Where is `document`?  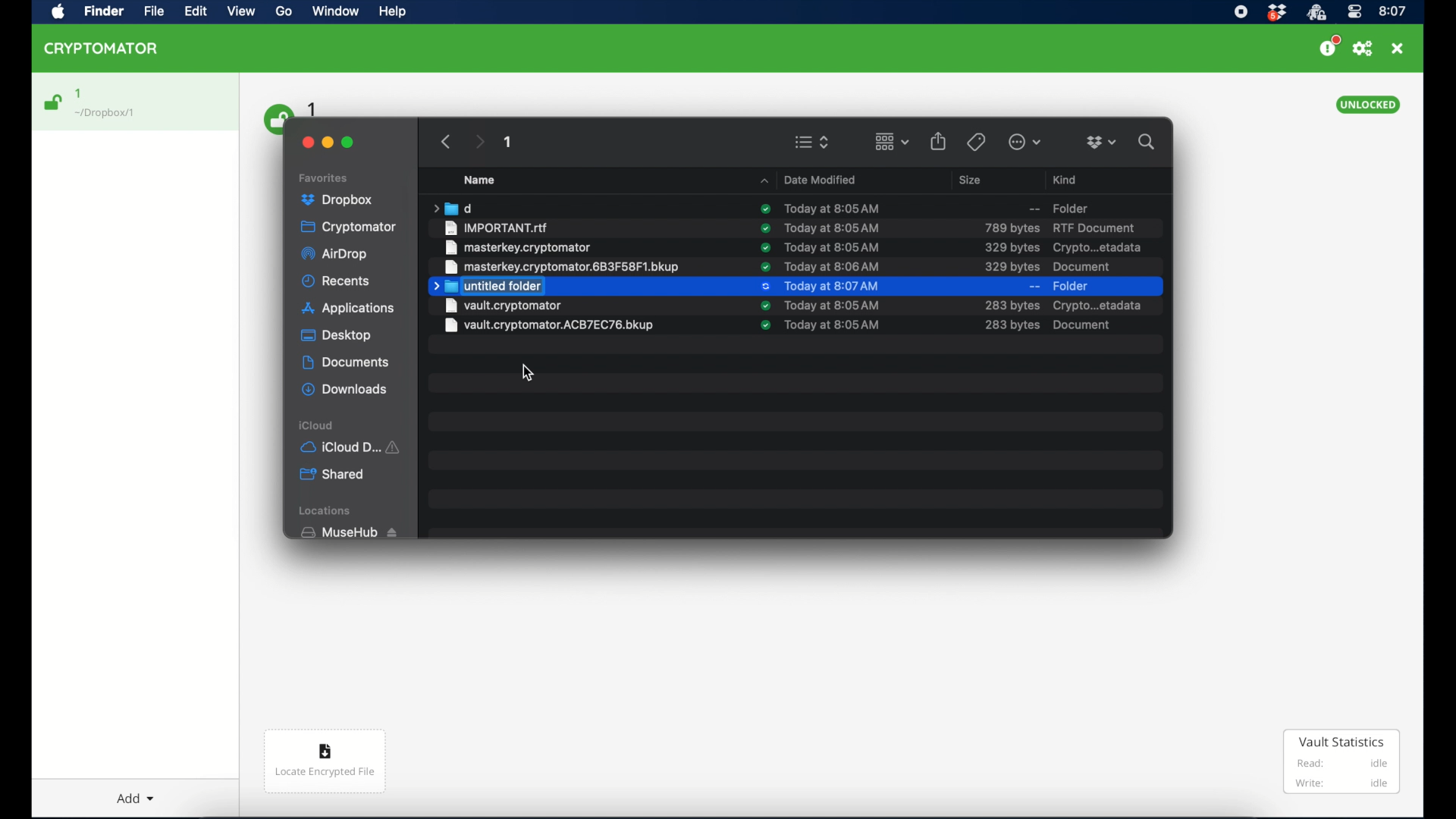 document is located at coordinates (1100, 305).